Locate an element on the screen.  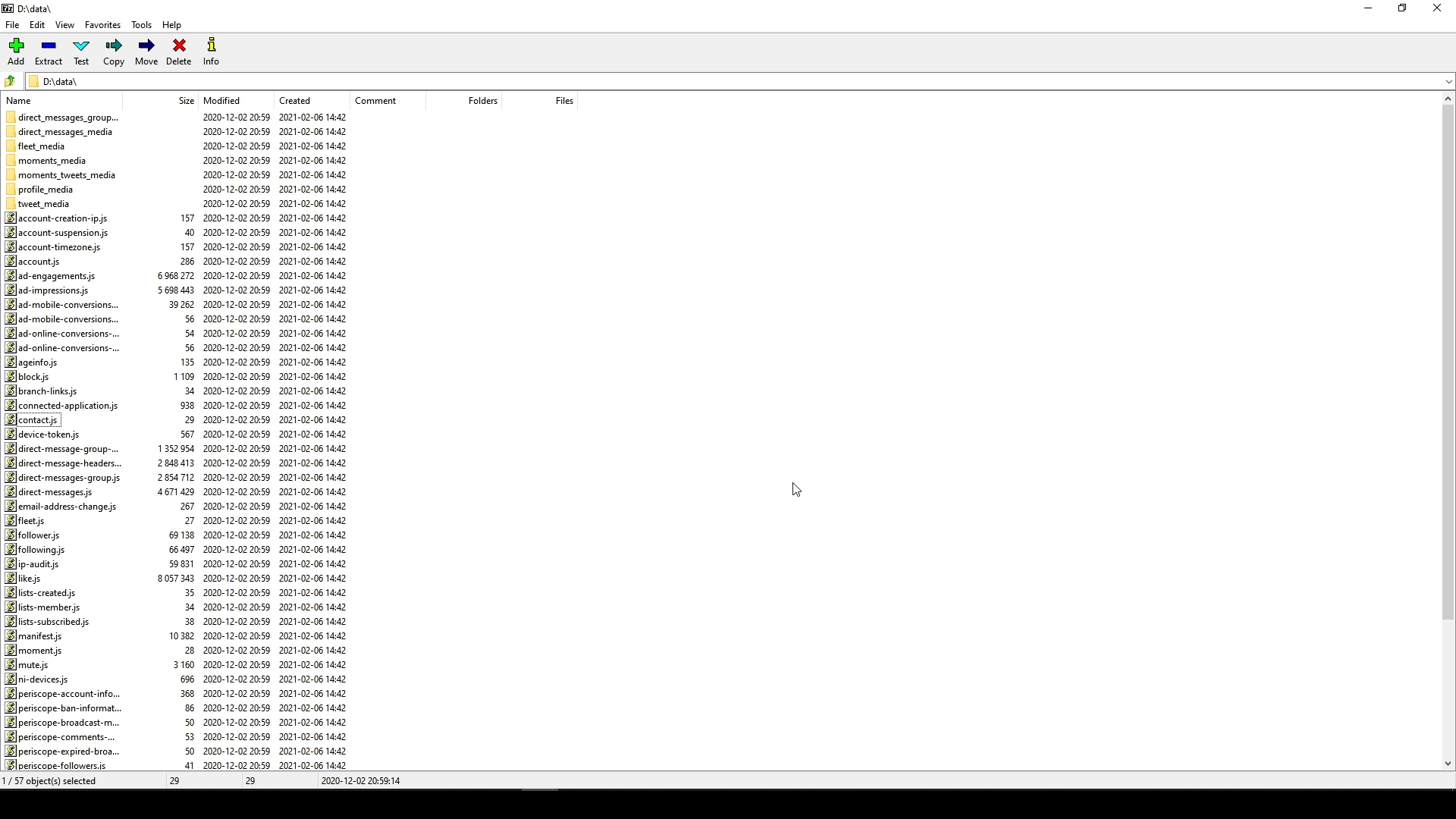
ip-audits.js is located at coordinates (33, 564).